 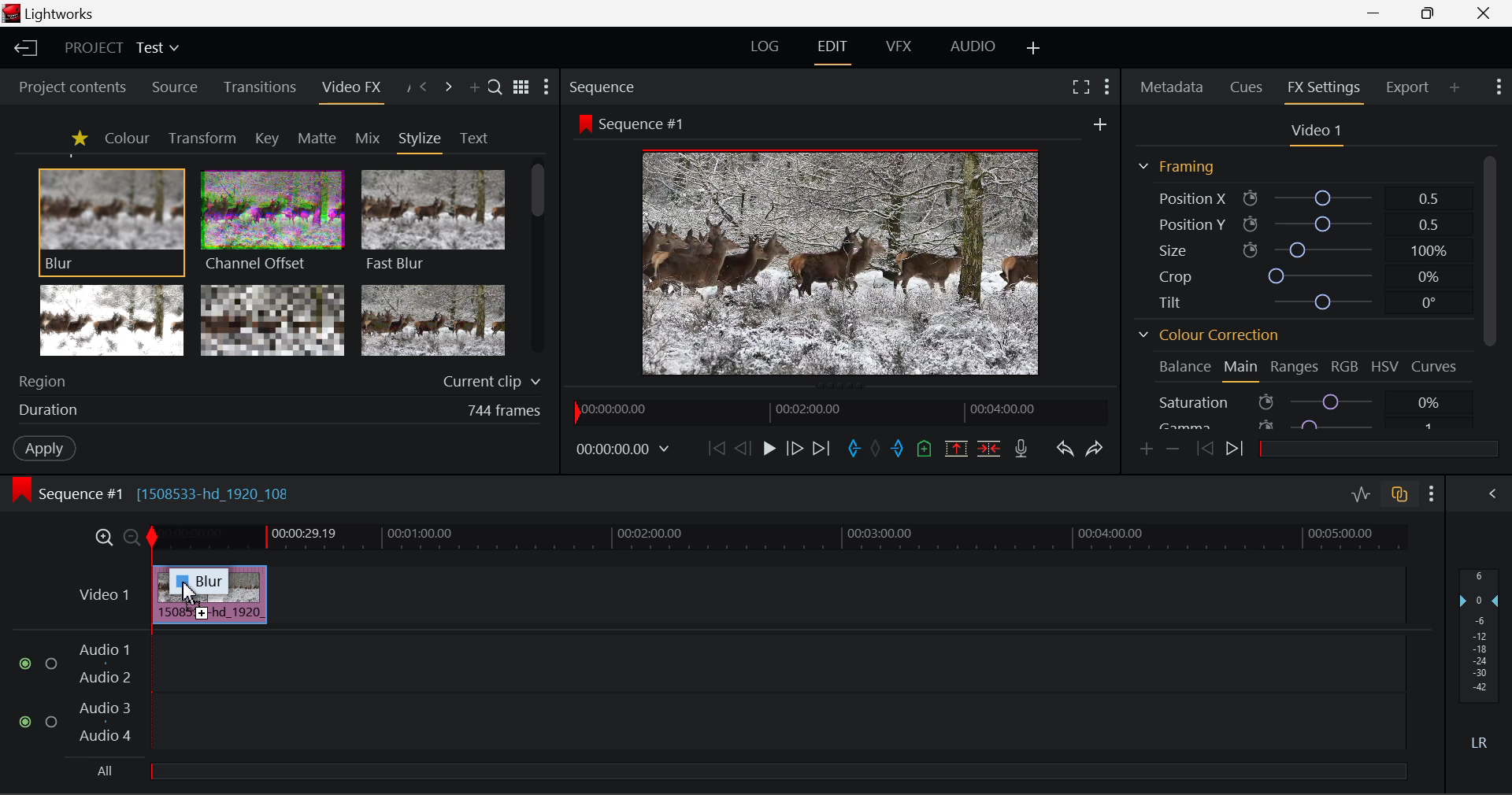 I want to click on AUDIO Layout, so click(x=972, y=47).